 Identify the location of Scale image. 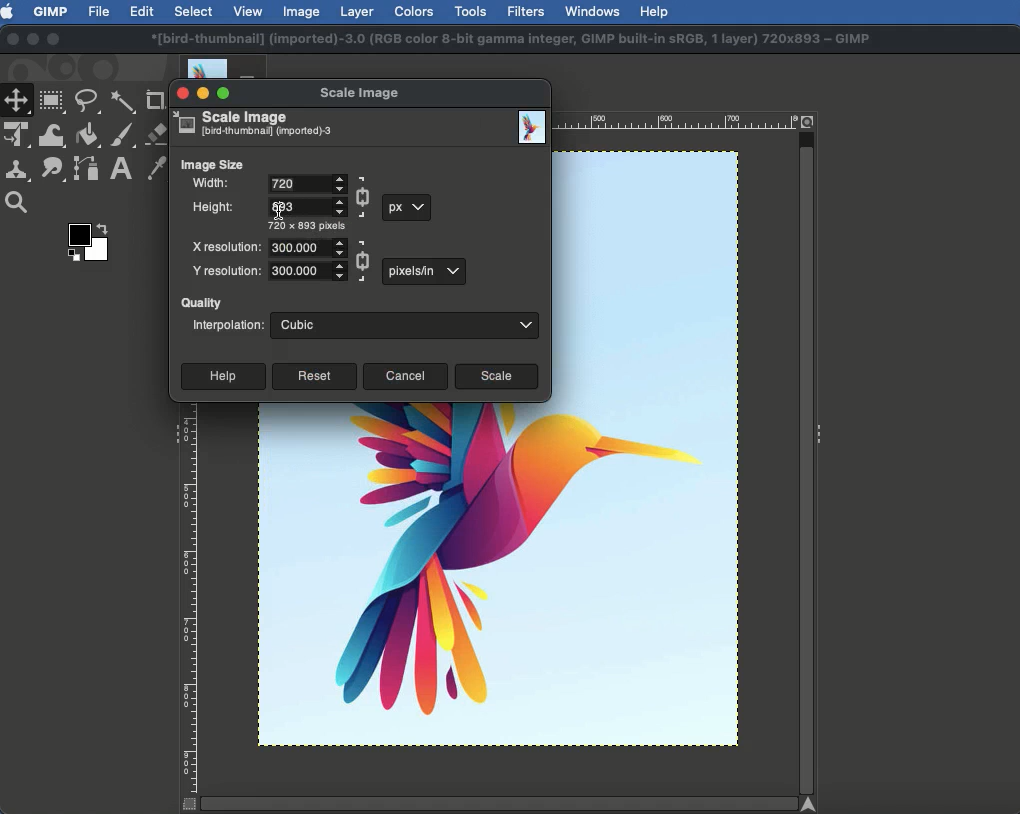
(255, 124).